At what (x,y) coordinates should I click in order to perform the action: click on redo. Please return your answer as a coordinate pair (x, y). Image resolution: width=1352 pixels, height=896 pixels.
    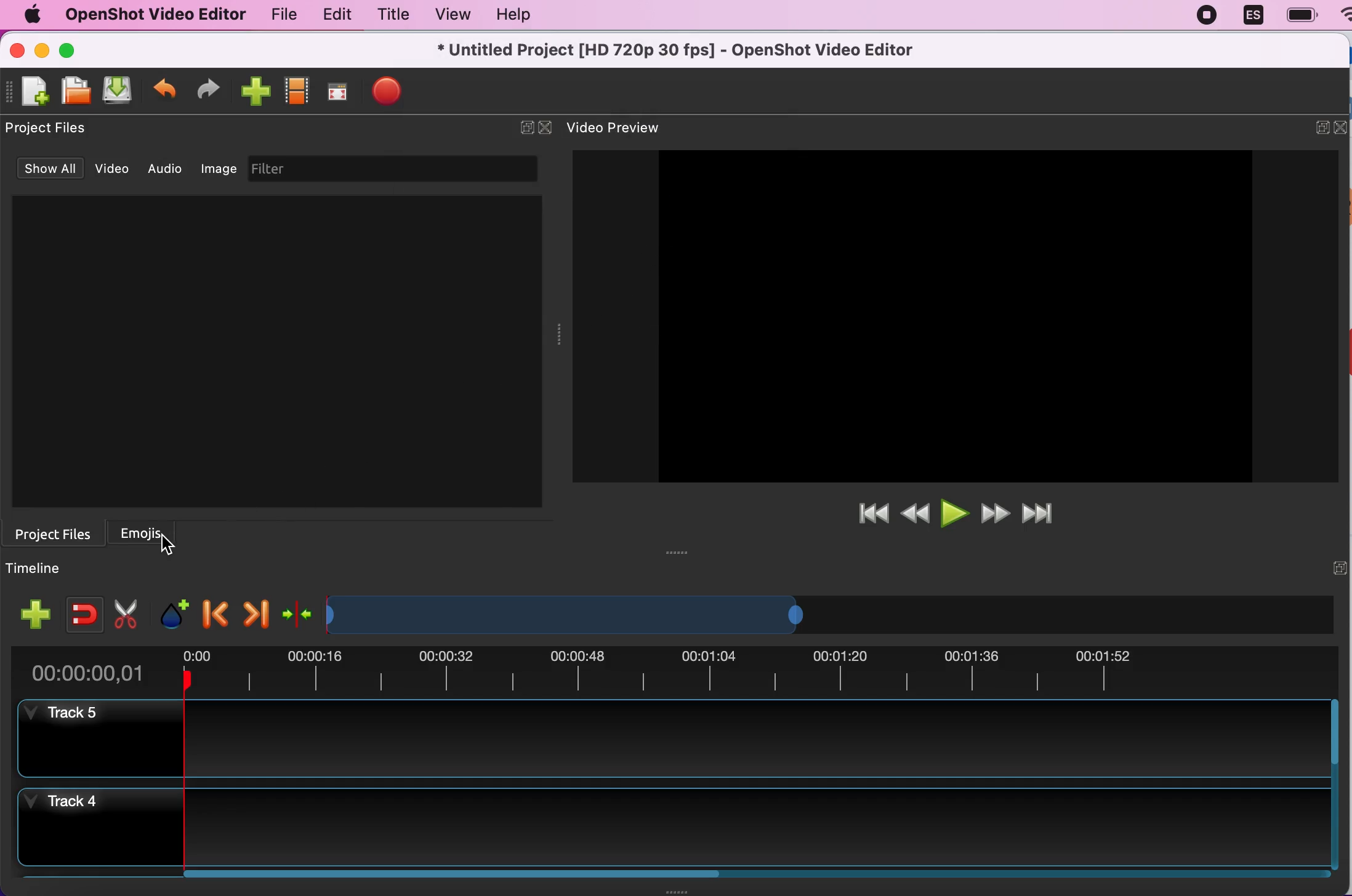
    Looking at the image, I should click on (209, 89).